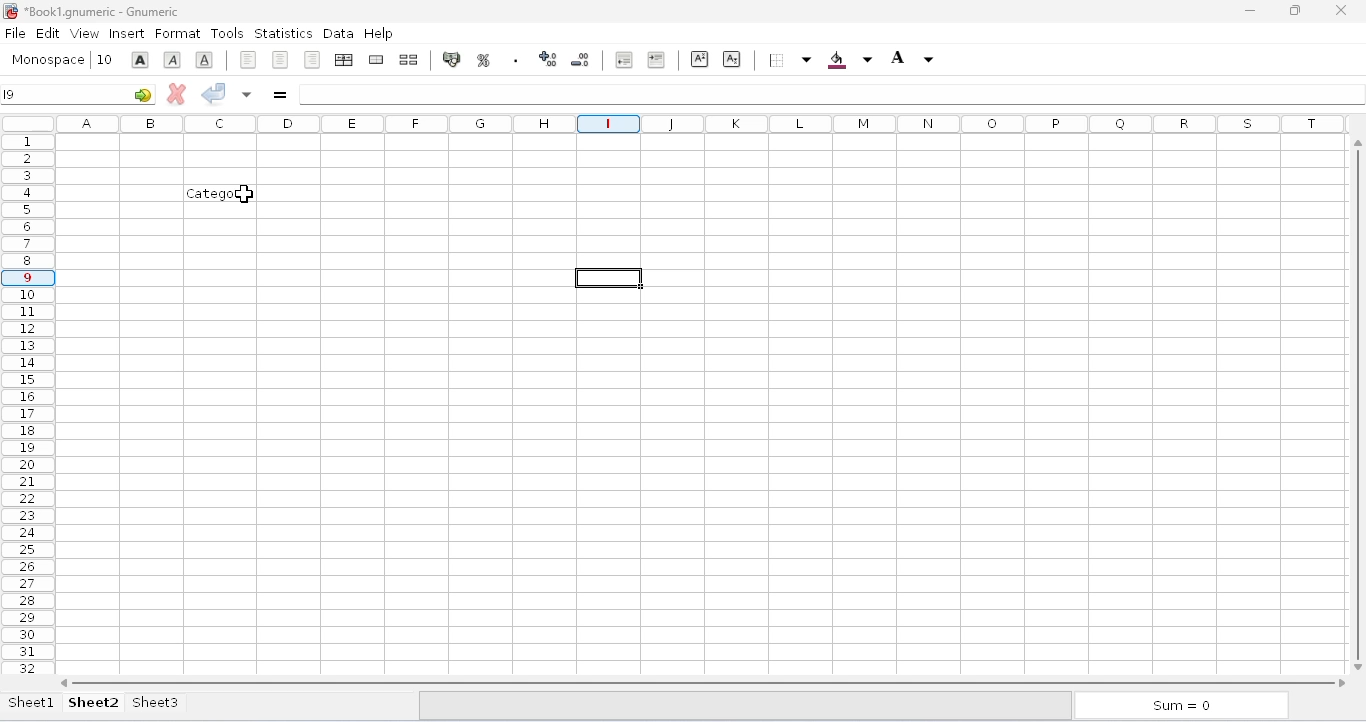  Describe the element at coordinates (622, 59) in the screenshot. I see `decrease the indent` at that location.